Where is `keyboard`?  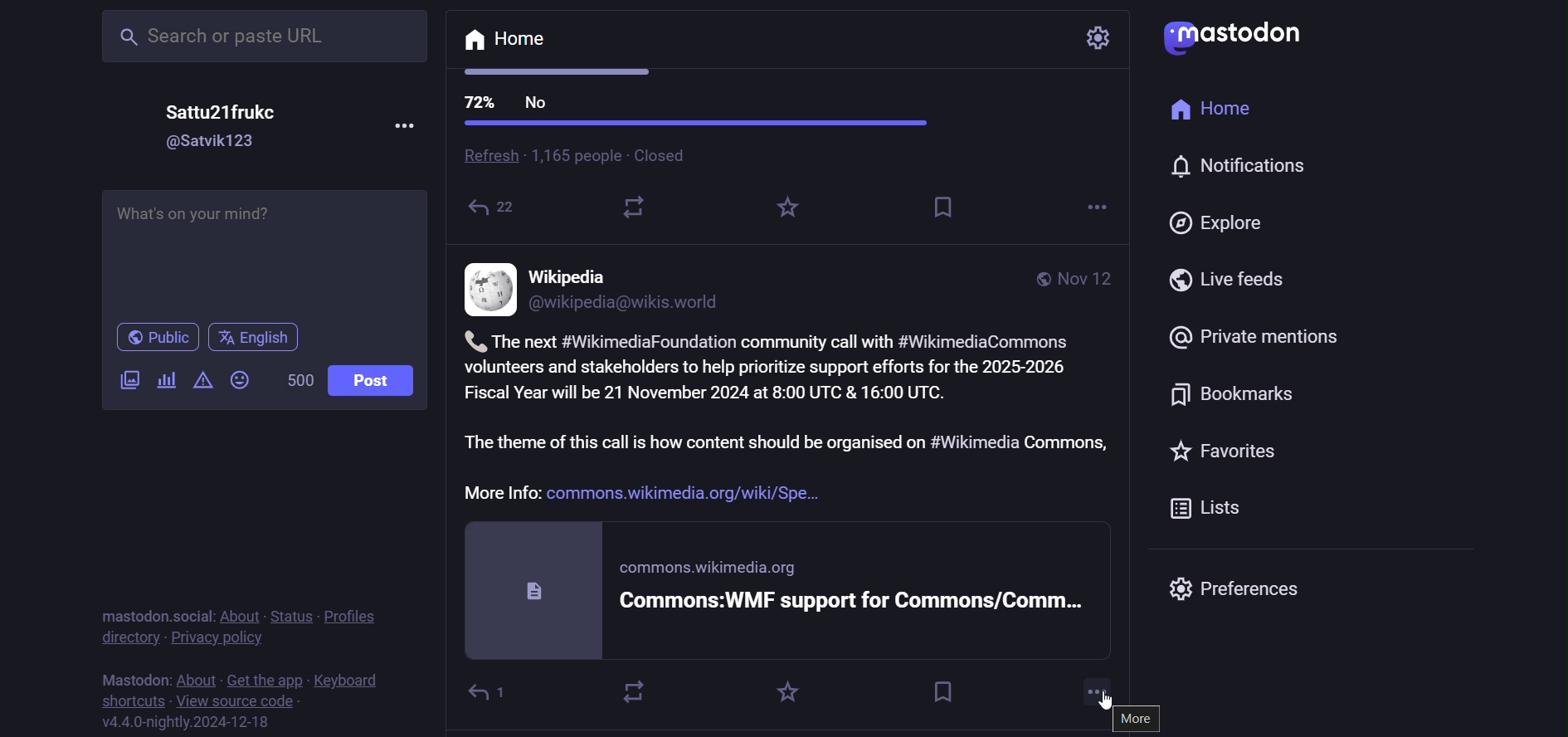
keyboard is located at coordinates (348, 680).